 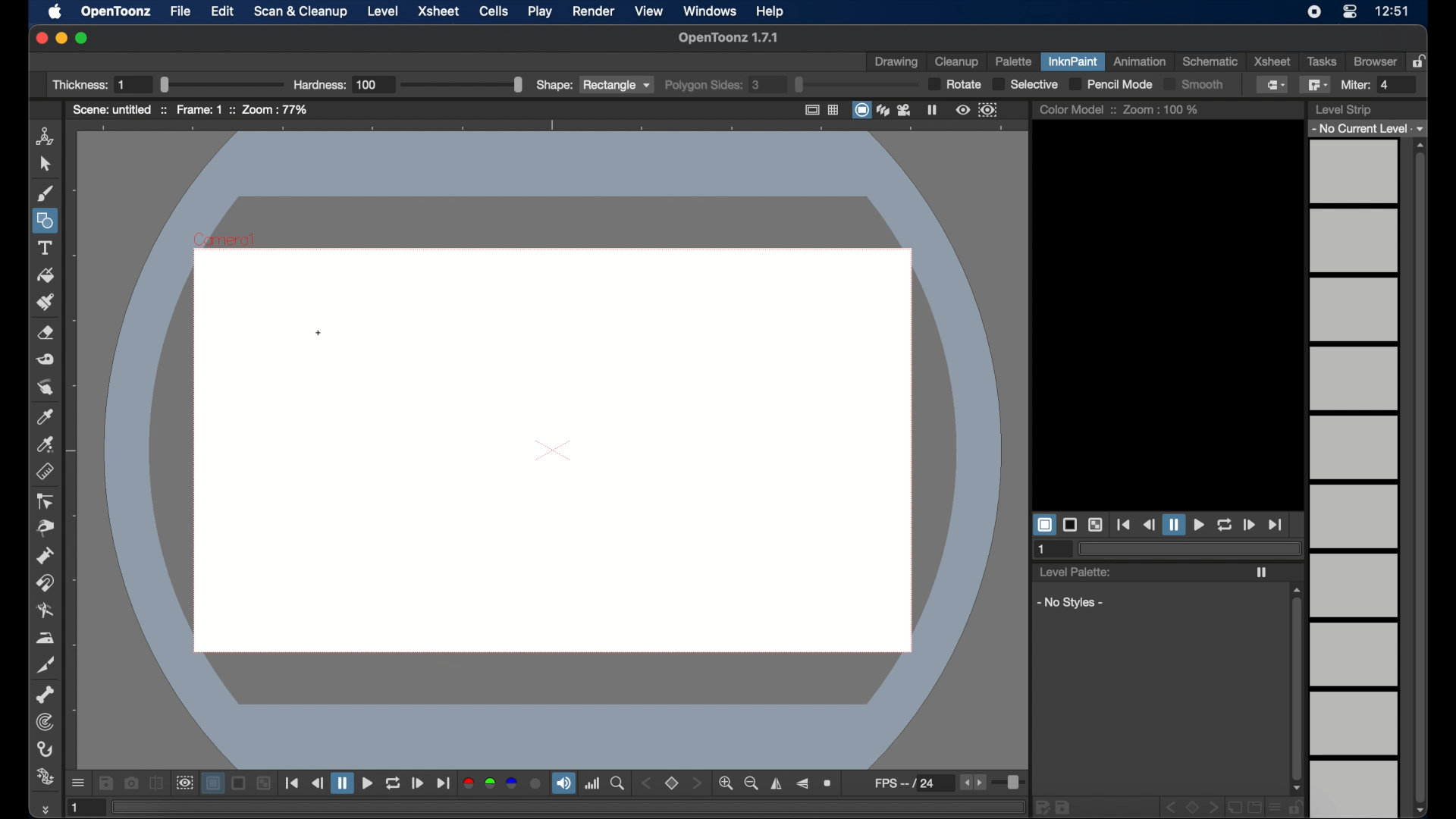 I want to click on maximize, so click(x=83, y=38).